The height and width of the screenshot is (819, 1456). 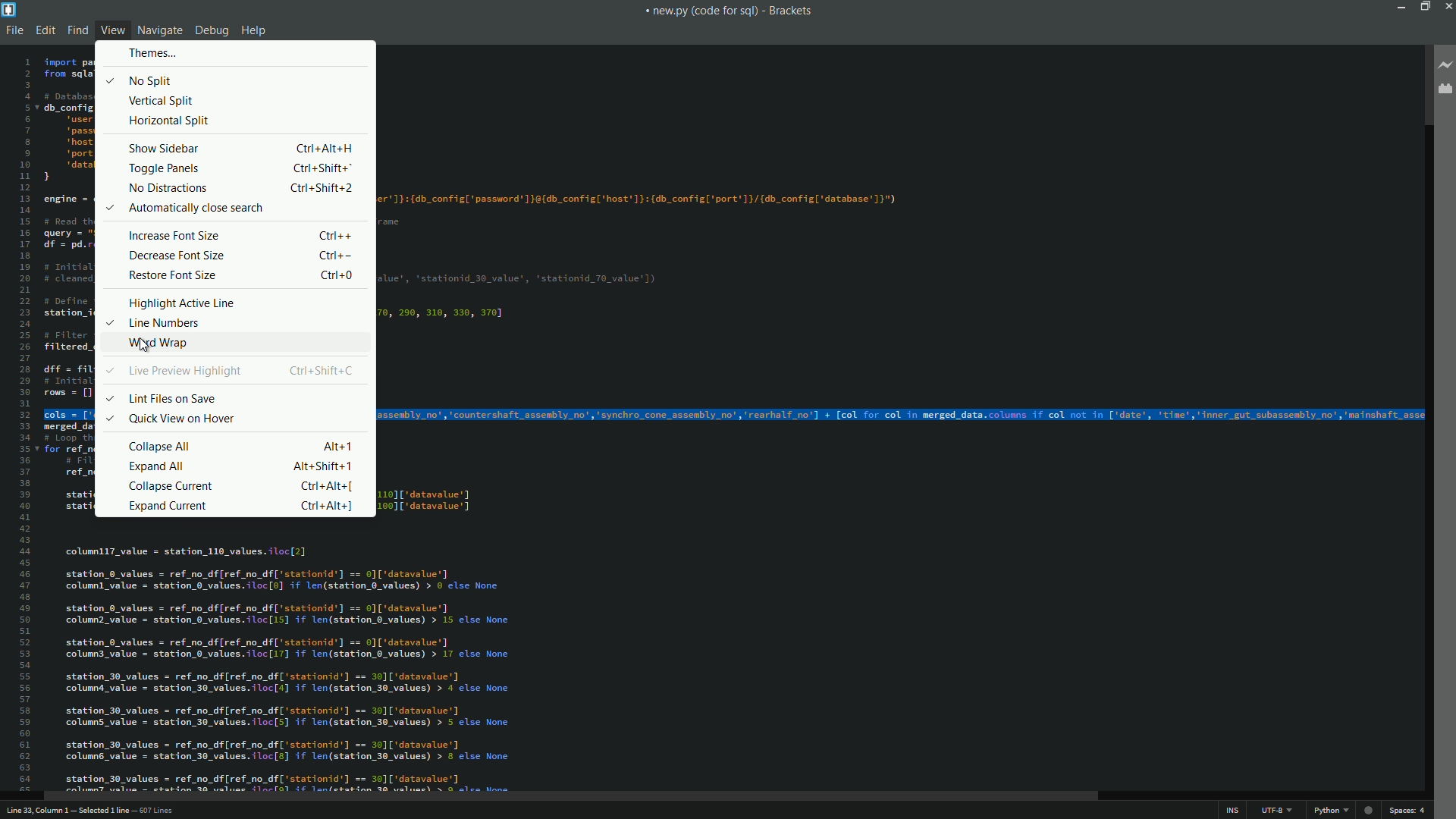 I want to click on spaces, so click(x=1407, y=810).